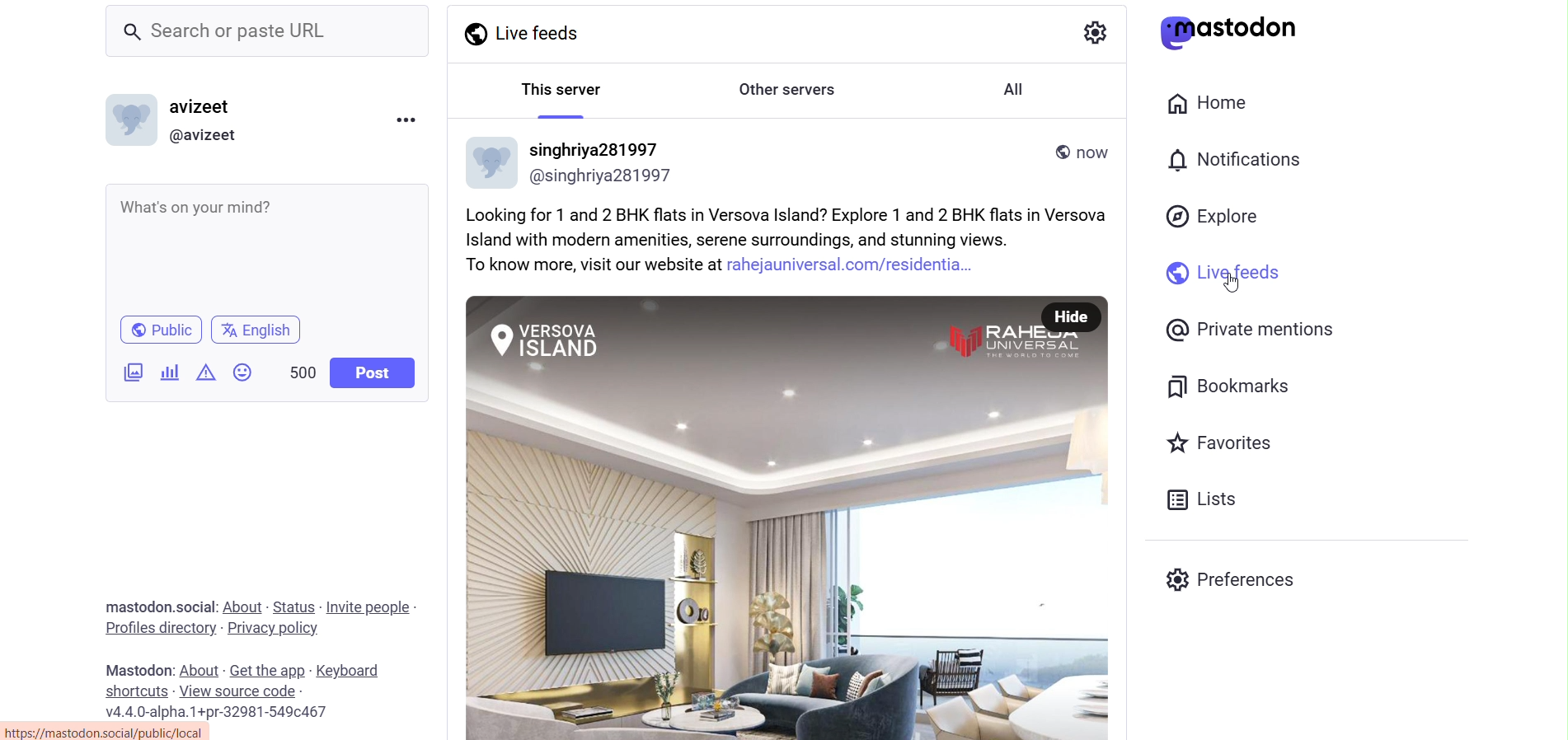  I want to click on images/videos, so click(134, 372).